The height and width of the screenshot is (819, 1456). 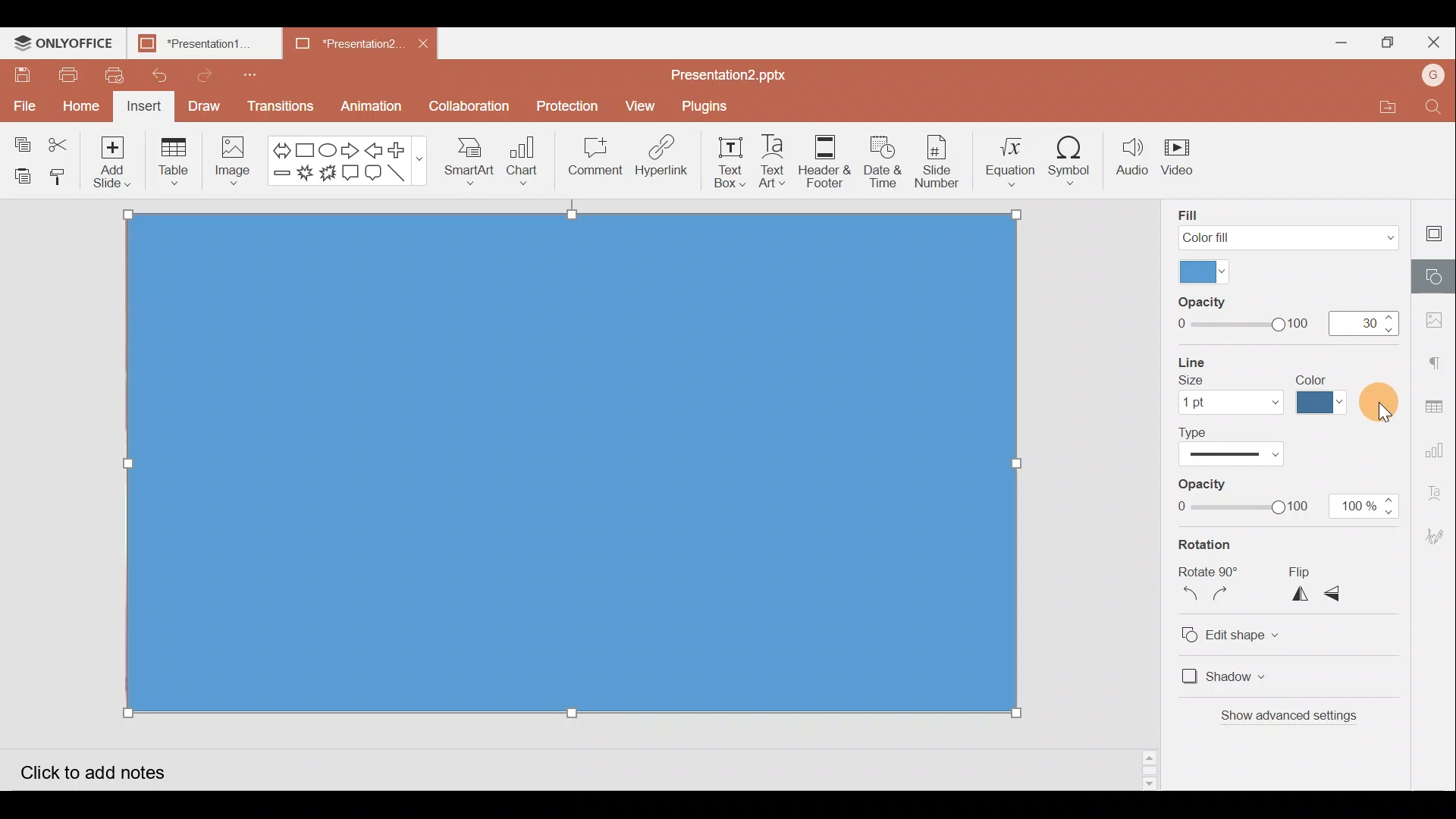 I want to click on Flip vertically, so click(x=1341, y=595).